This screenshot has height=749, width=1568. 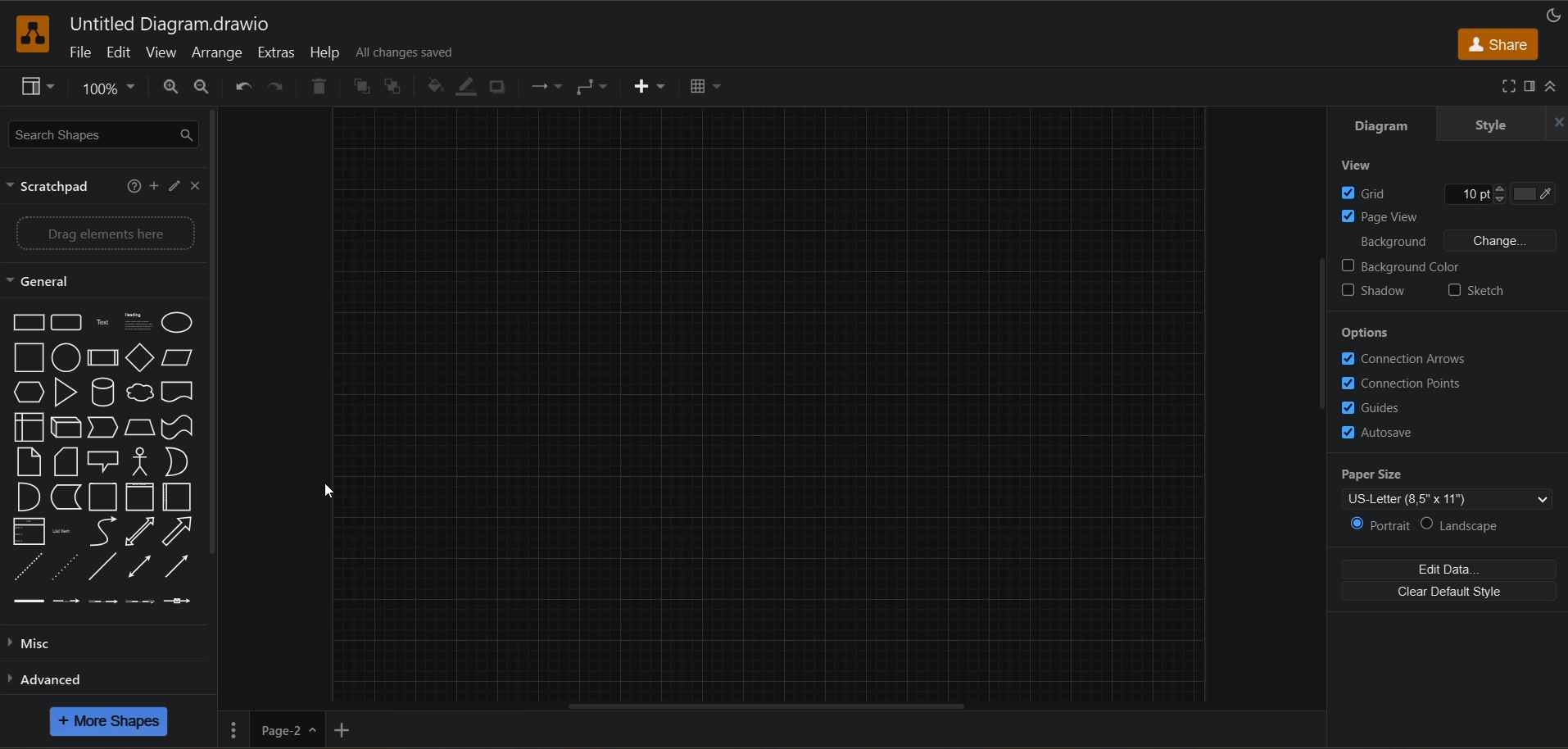 I want to click on shadow, so click(x=499, y=86).